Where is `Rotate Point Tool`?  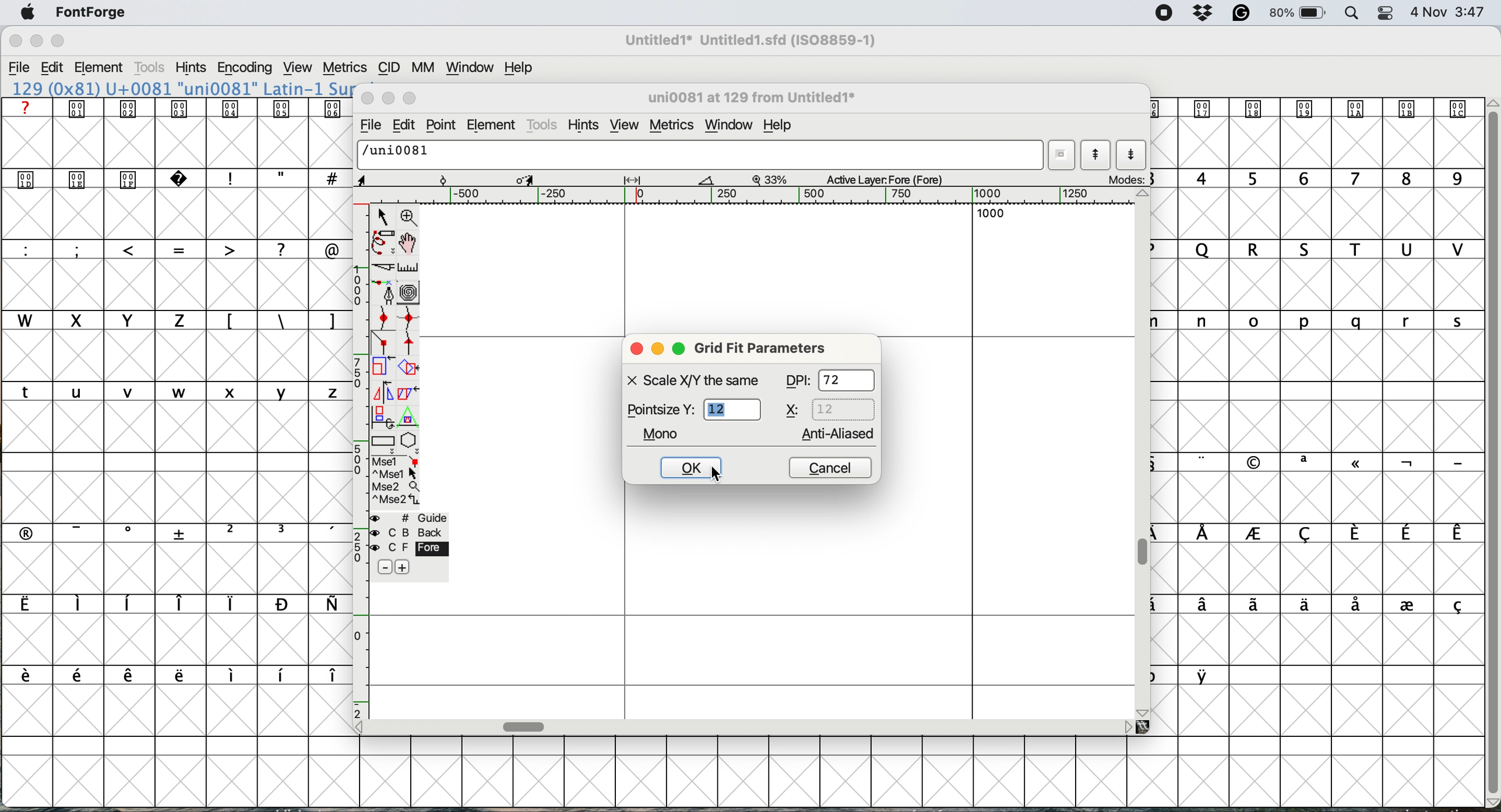 Rotate Point Tool is located at coordinates (444, 180).